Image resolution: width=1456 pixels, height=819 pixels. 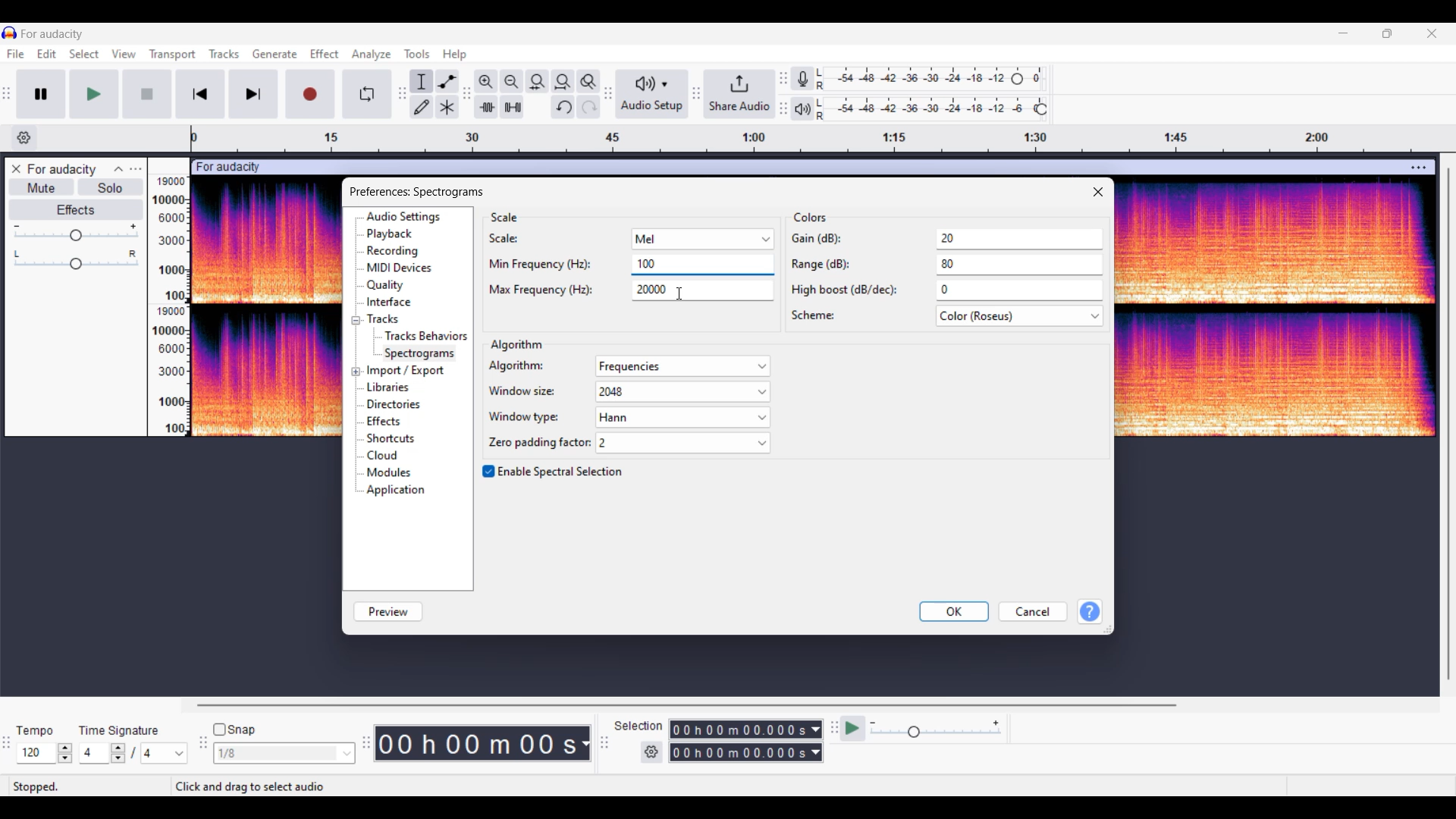 I want to click on File menu, so click(x=16, y=54).